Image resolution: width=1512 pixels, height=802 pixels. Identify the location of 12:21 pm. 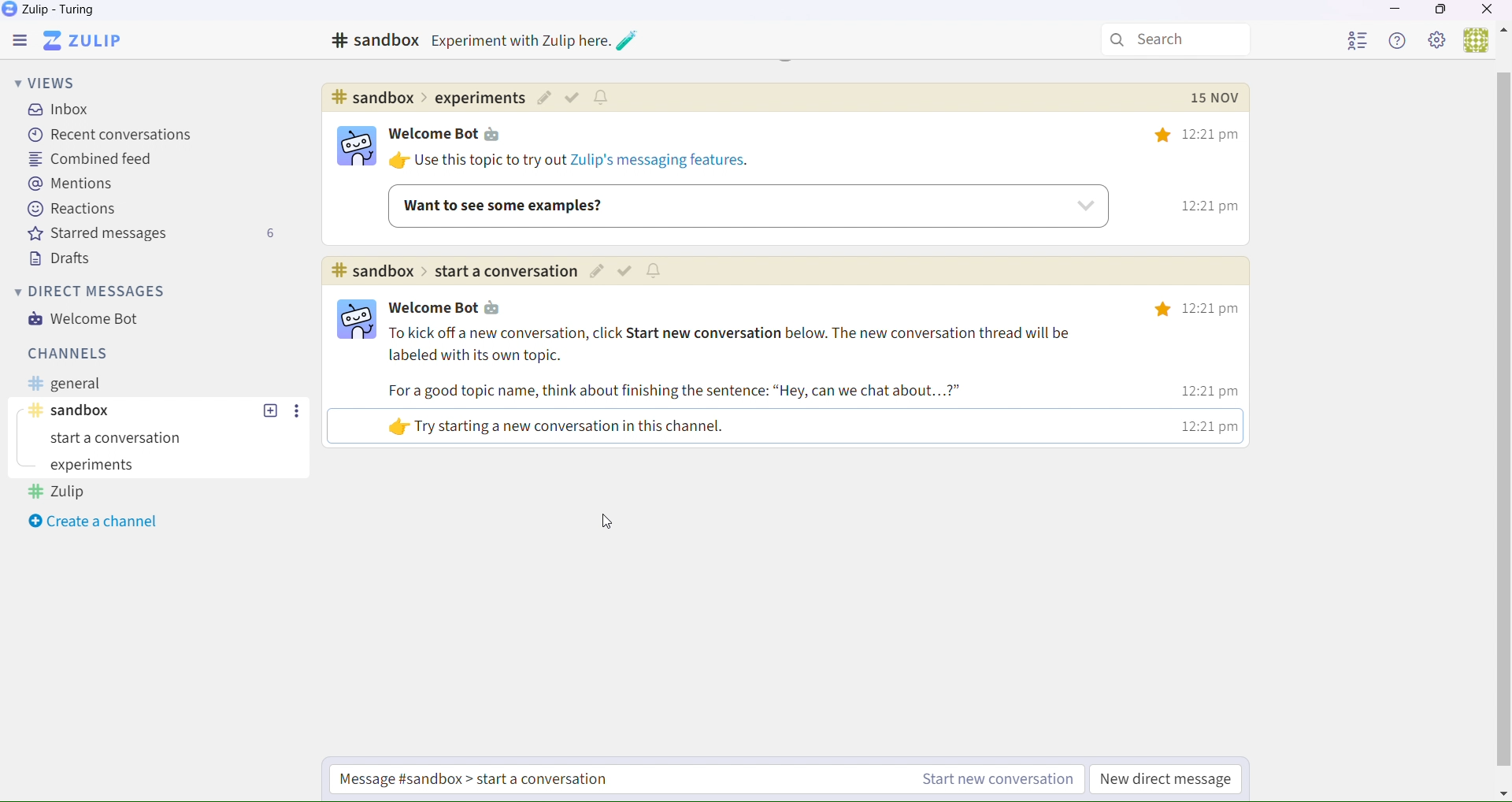
(1203, 425).